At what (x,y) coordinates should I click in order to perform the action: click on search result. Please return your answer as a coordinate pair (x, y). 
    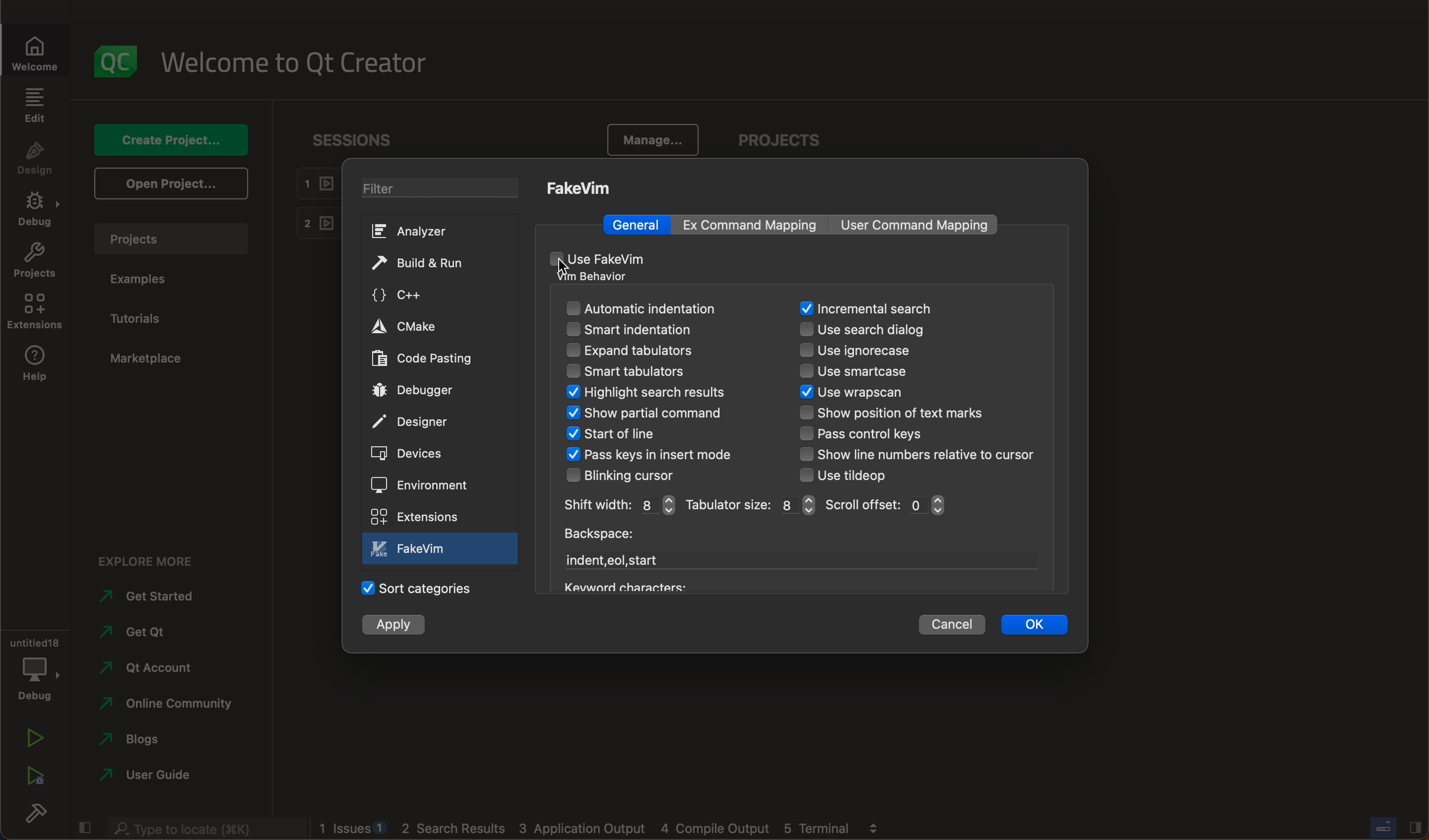
    Looking at the image, I should click on (666, 393).